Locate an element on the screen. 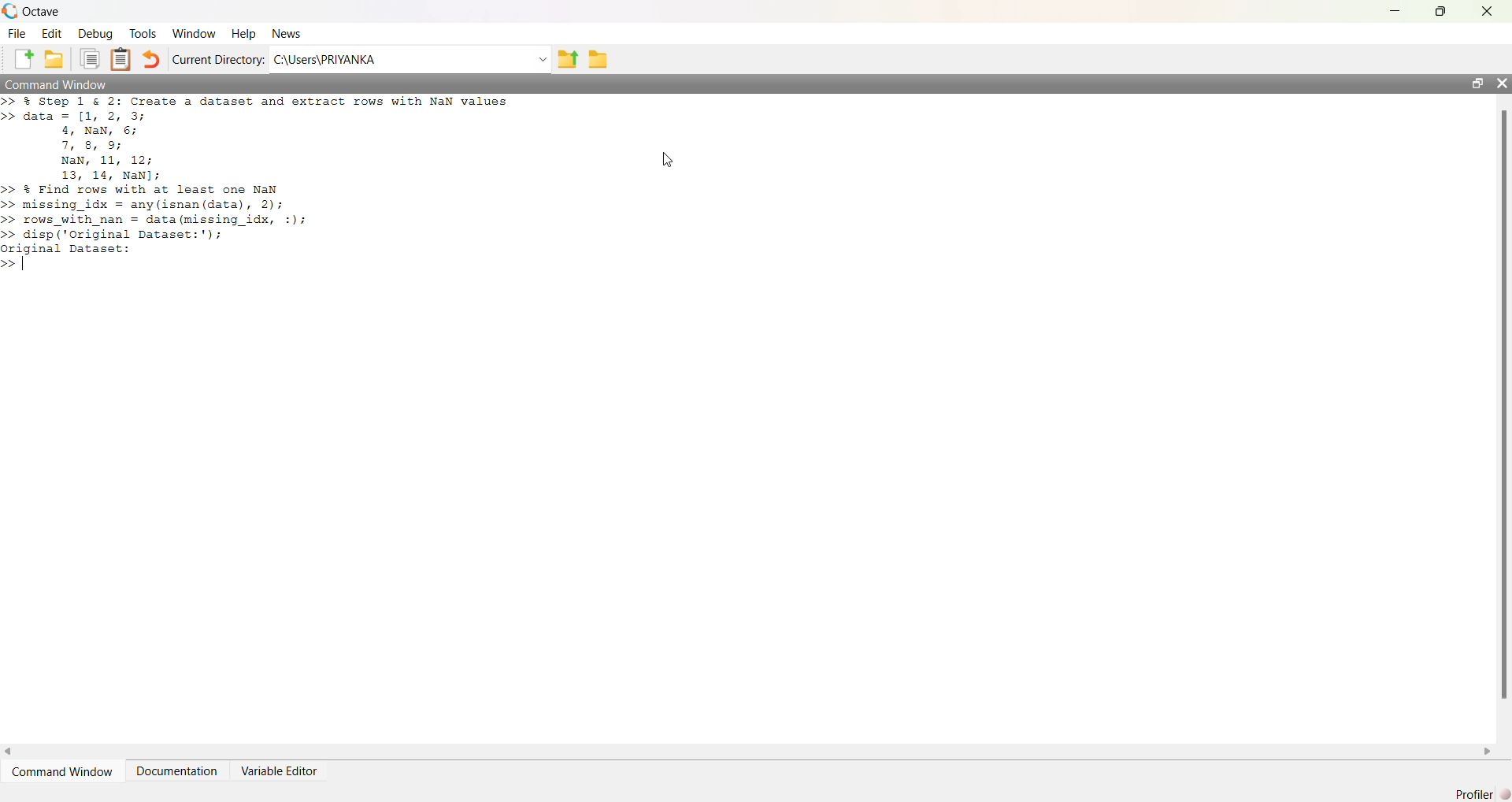 This screenshot has width=1512, height=802. News is located at coordinates (288, 33).